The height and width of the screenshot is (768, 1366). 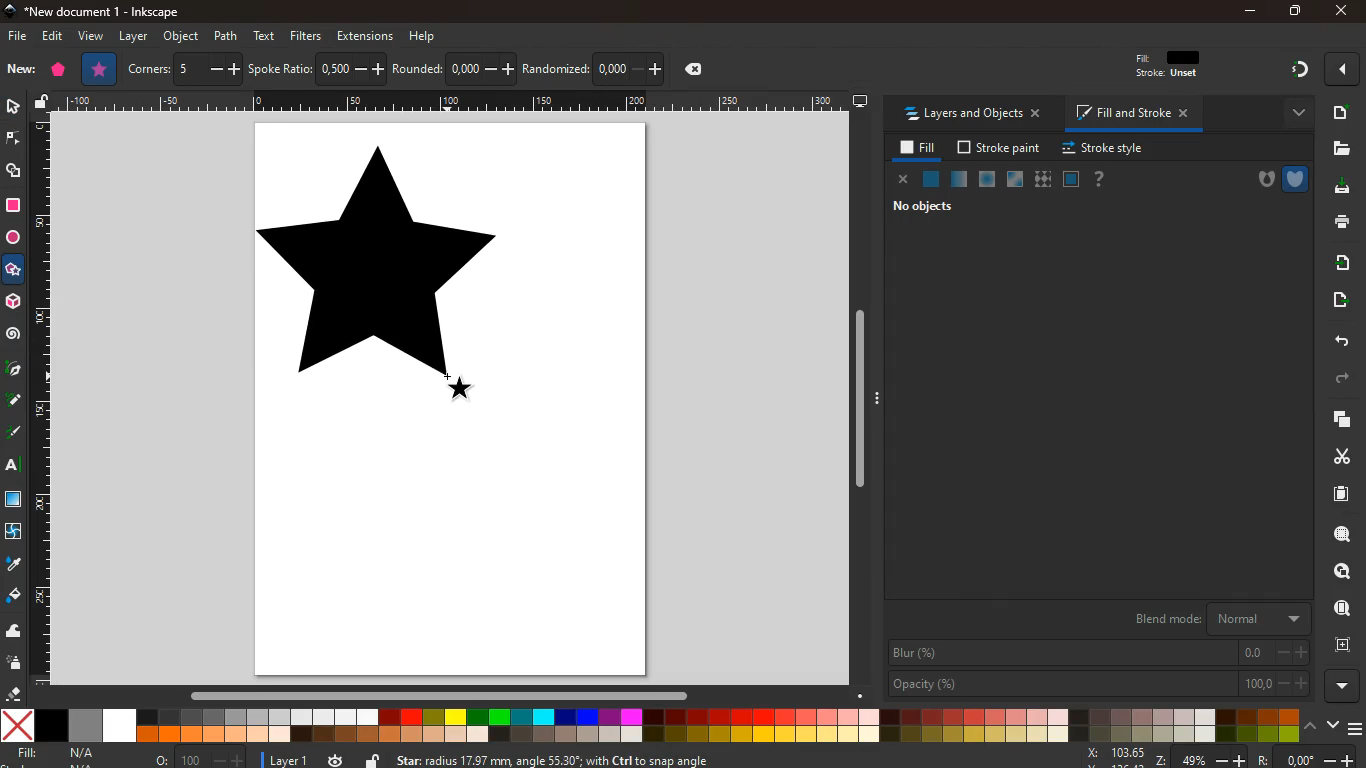 I want to click on cut, so click(x=1338, y=457).